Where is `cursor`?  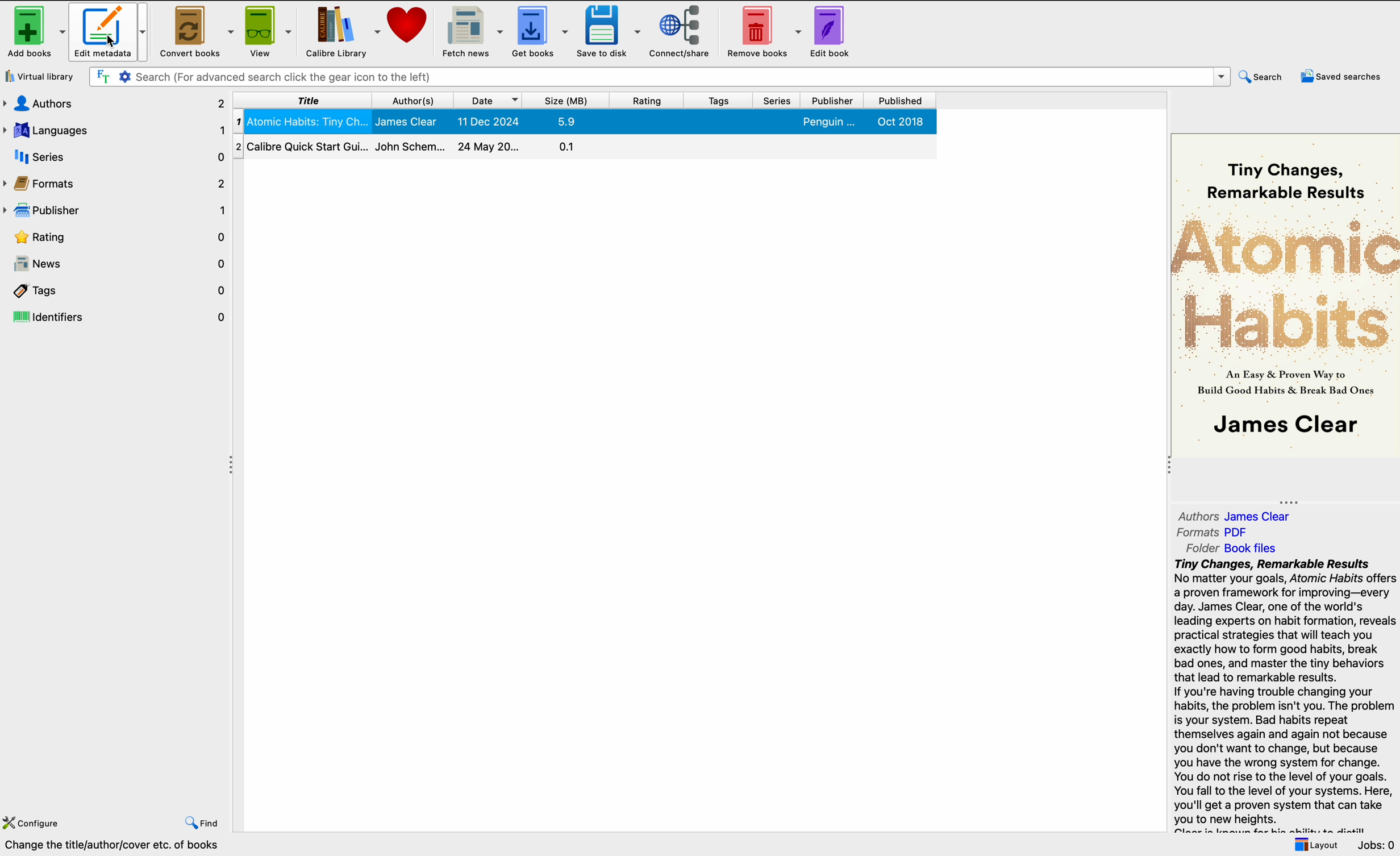 cursor is located at coordinates (112, 41).